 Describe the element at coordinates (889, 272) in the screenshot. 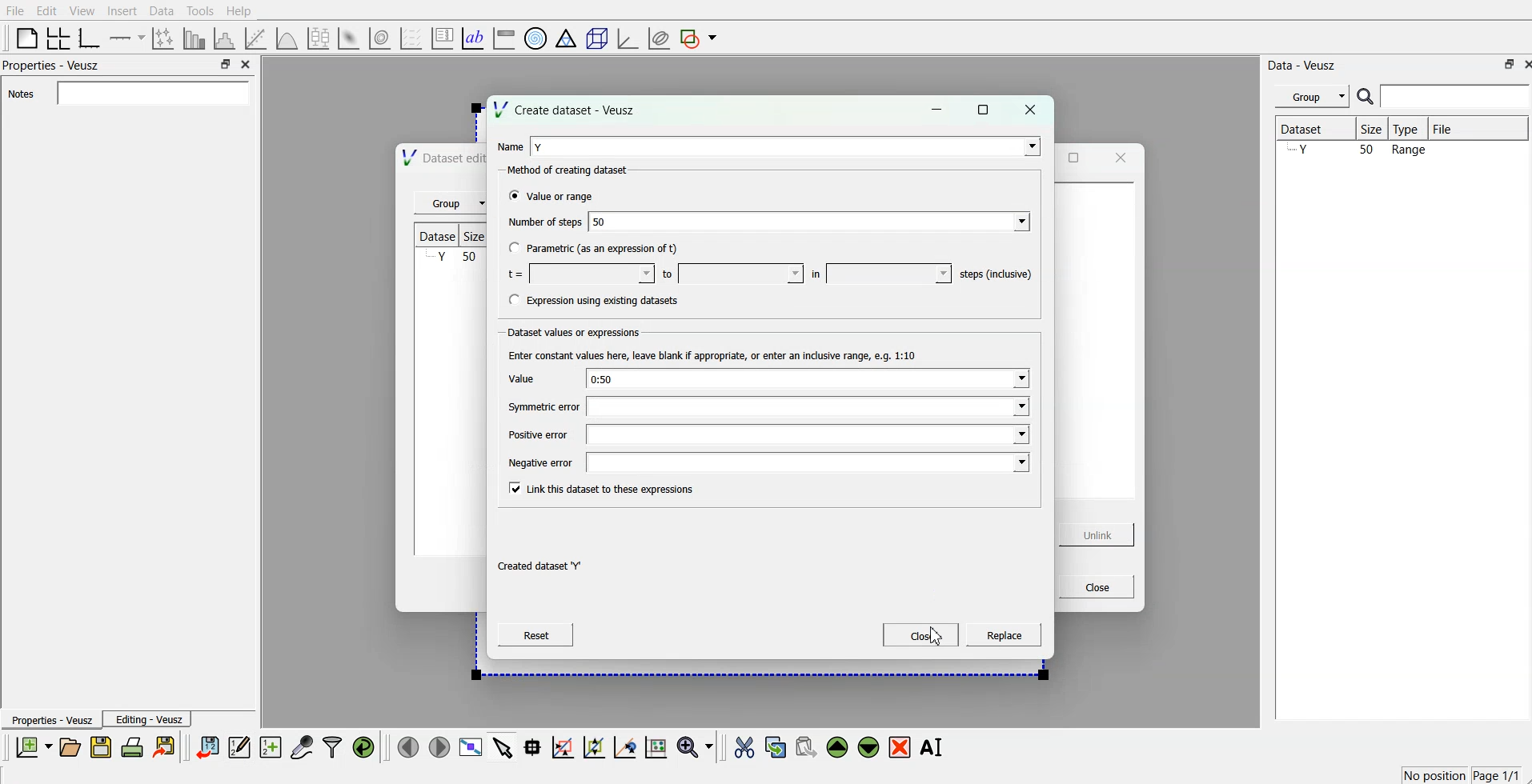

I see `t value in ` at that location.